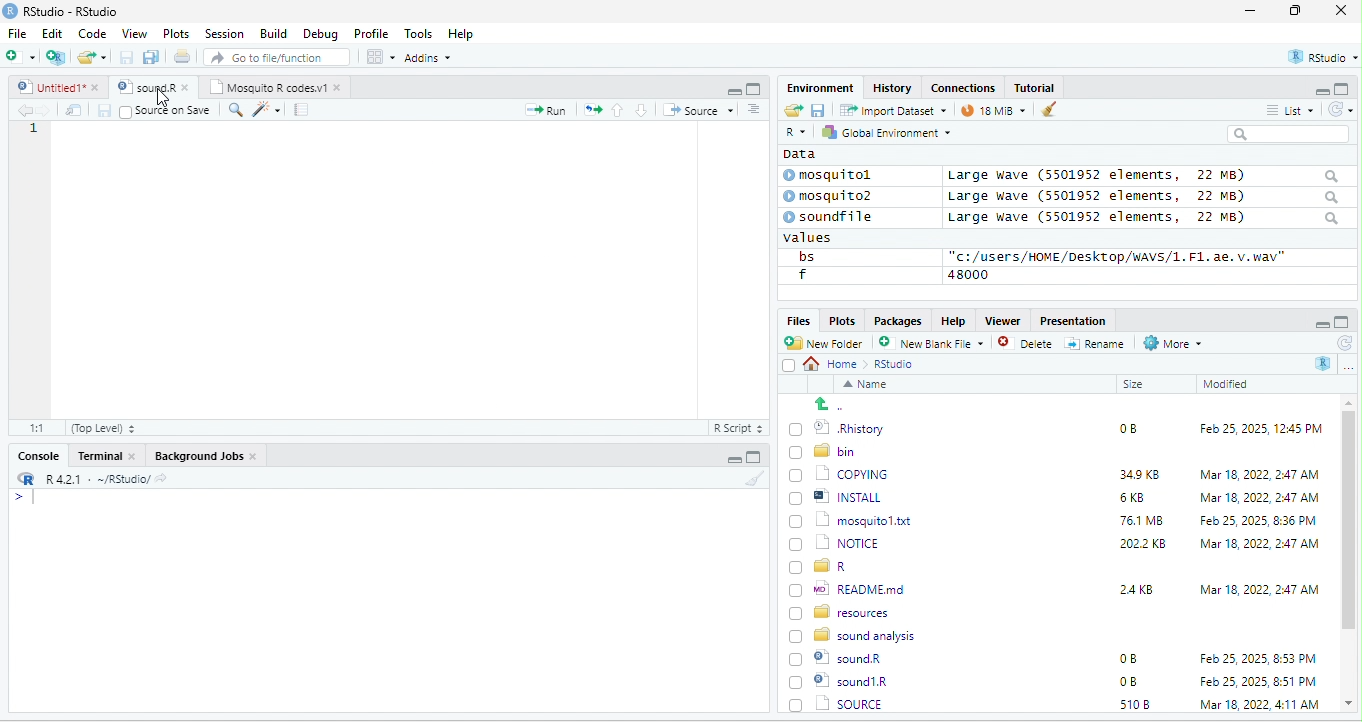 This screenshot has width=1362, height=722. What do you see at coordinates (839, 496) in the screenshot?
I see `| @] INSTALL` at bounding box center [839, 496].